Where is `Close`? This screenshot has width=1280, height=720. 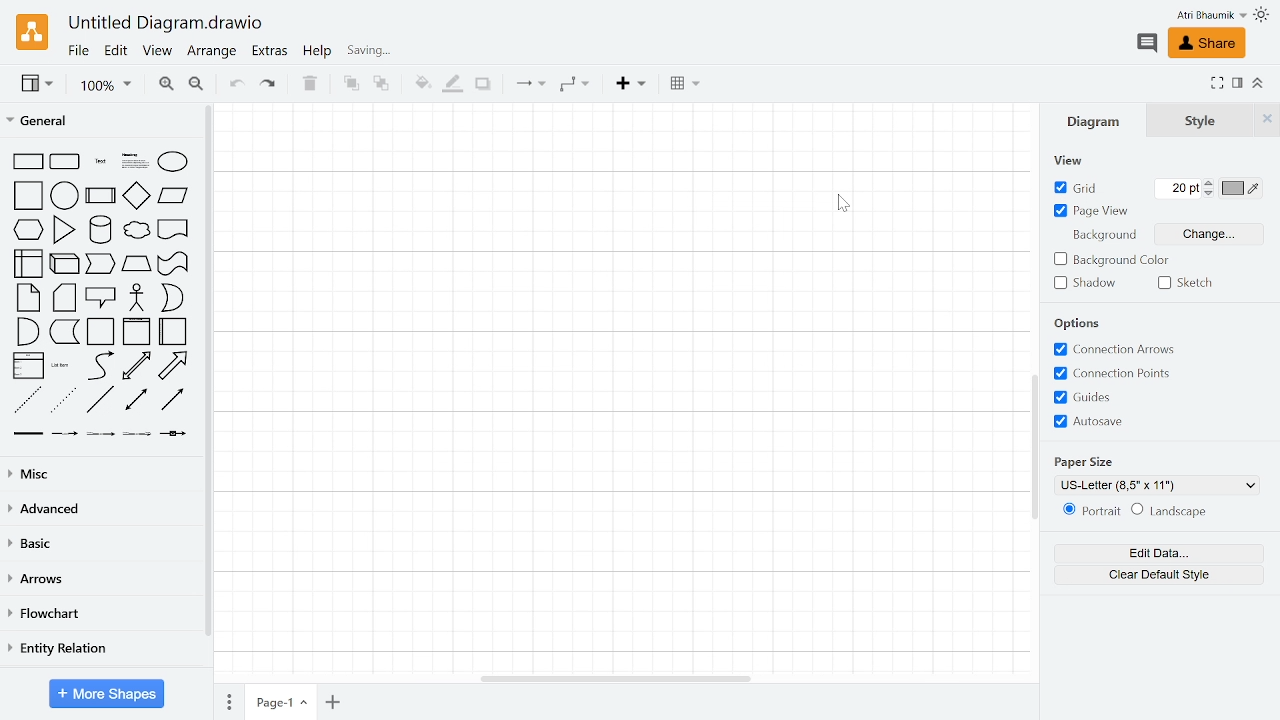
Close is located at coordinates (1266, 121).